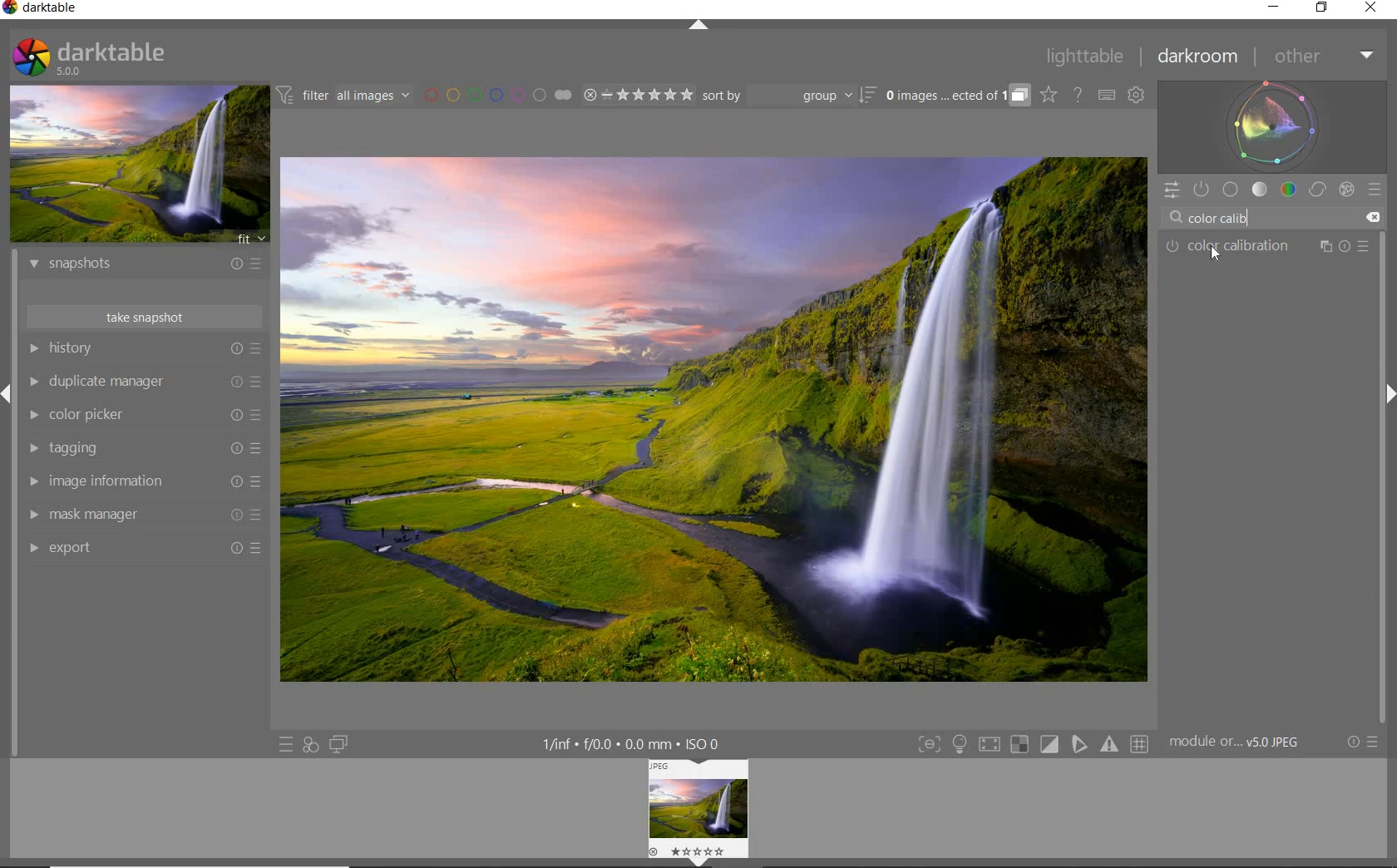 Image resolution: width=1397 pixels, height=868 pixels. What do you see at coordinates (144, 381) in the screenshot?
I see `duplicate manager` at bounding box center [144, 381].